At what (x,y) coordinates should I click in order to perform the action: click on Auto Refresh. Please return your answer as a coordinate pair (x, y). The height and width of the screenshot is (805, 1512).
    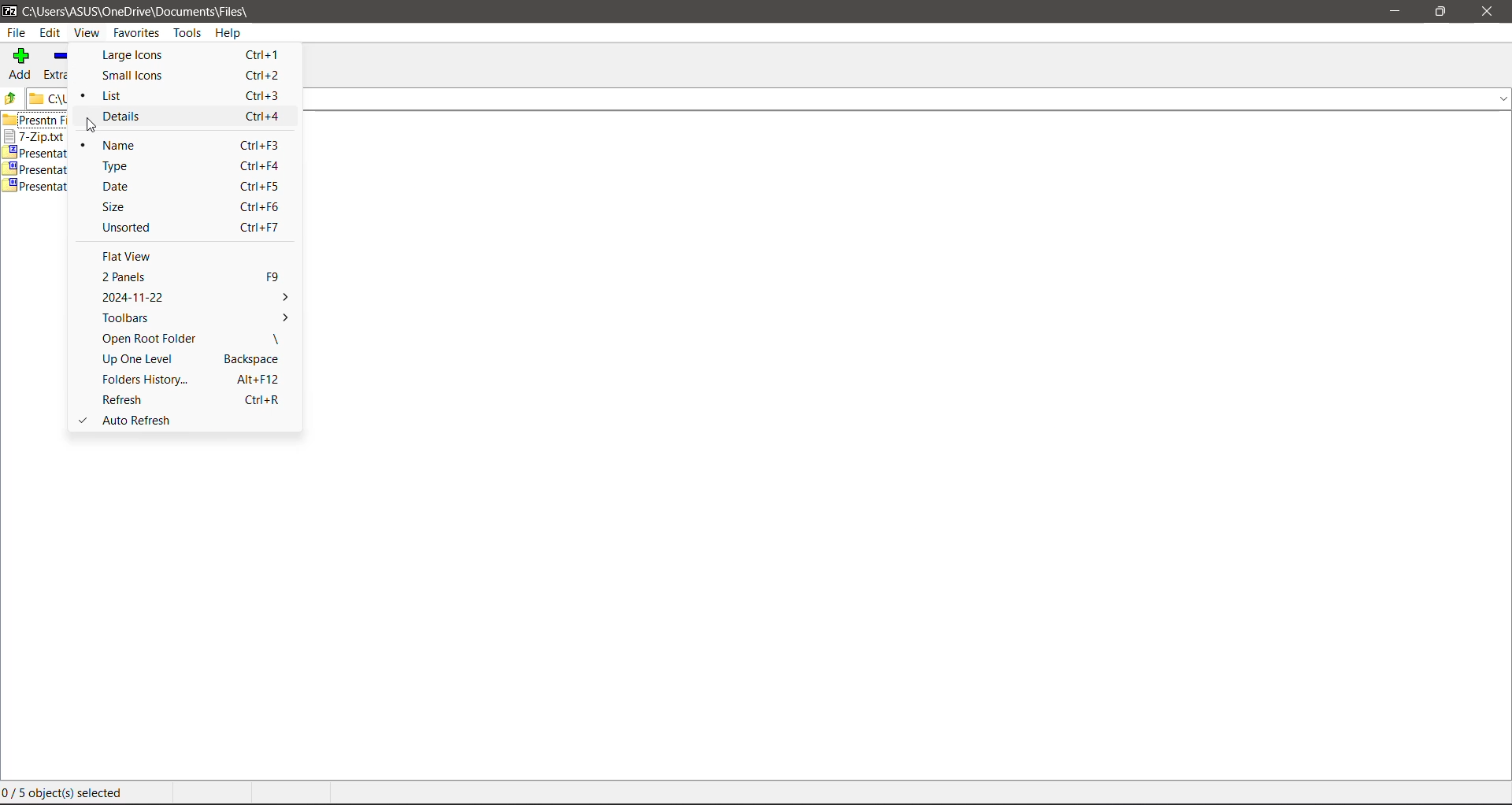
    Looking at the image, I should click on (162, 421).